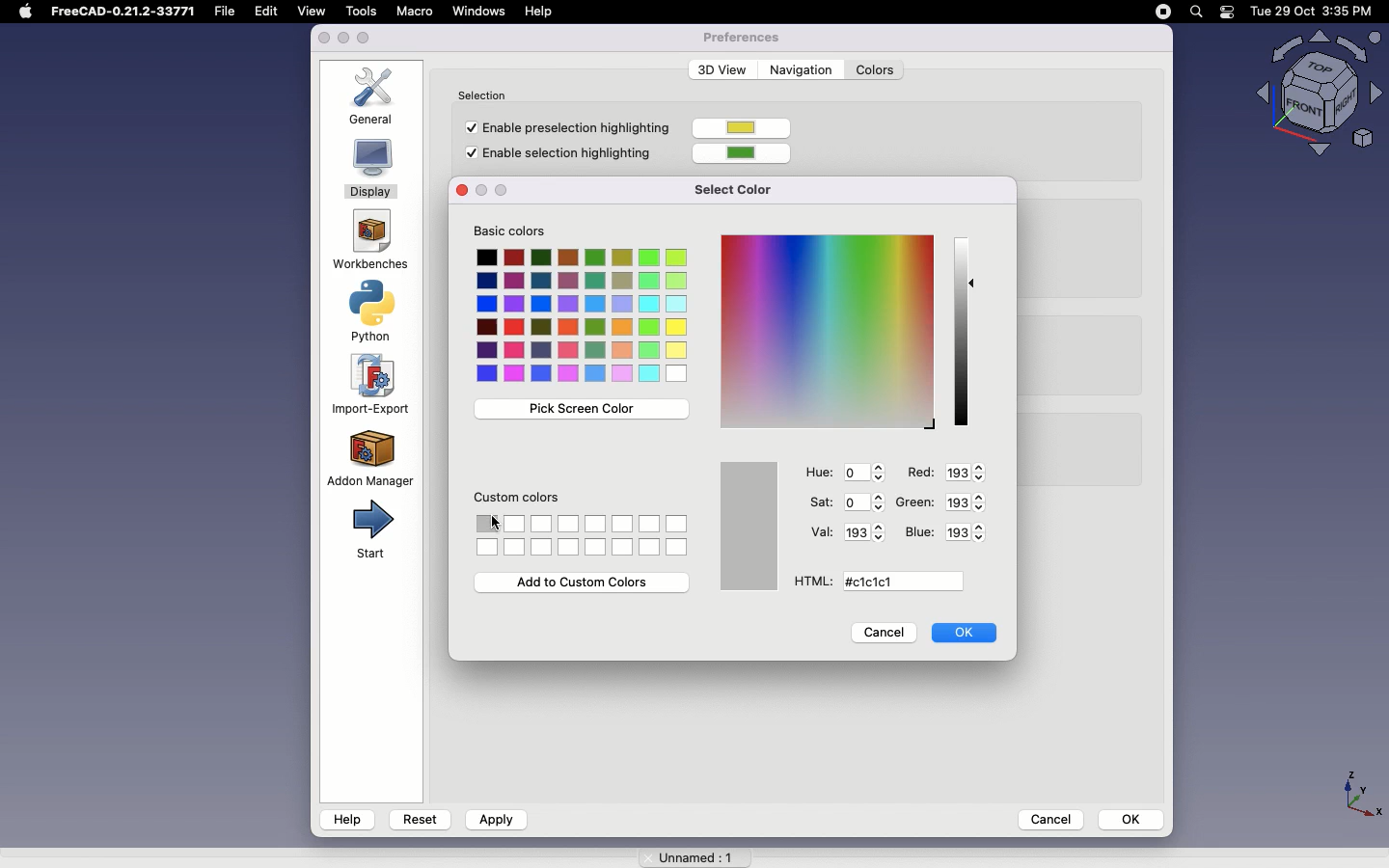  What do you see at coordinates (479, 12) in the screenshot?
I see `windows` at bounding box center [479, 12].